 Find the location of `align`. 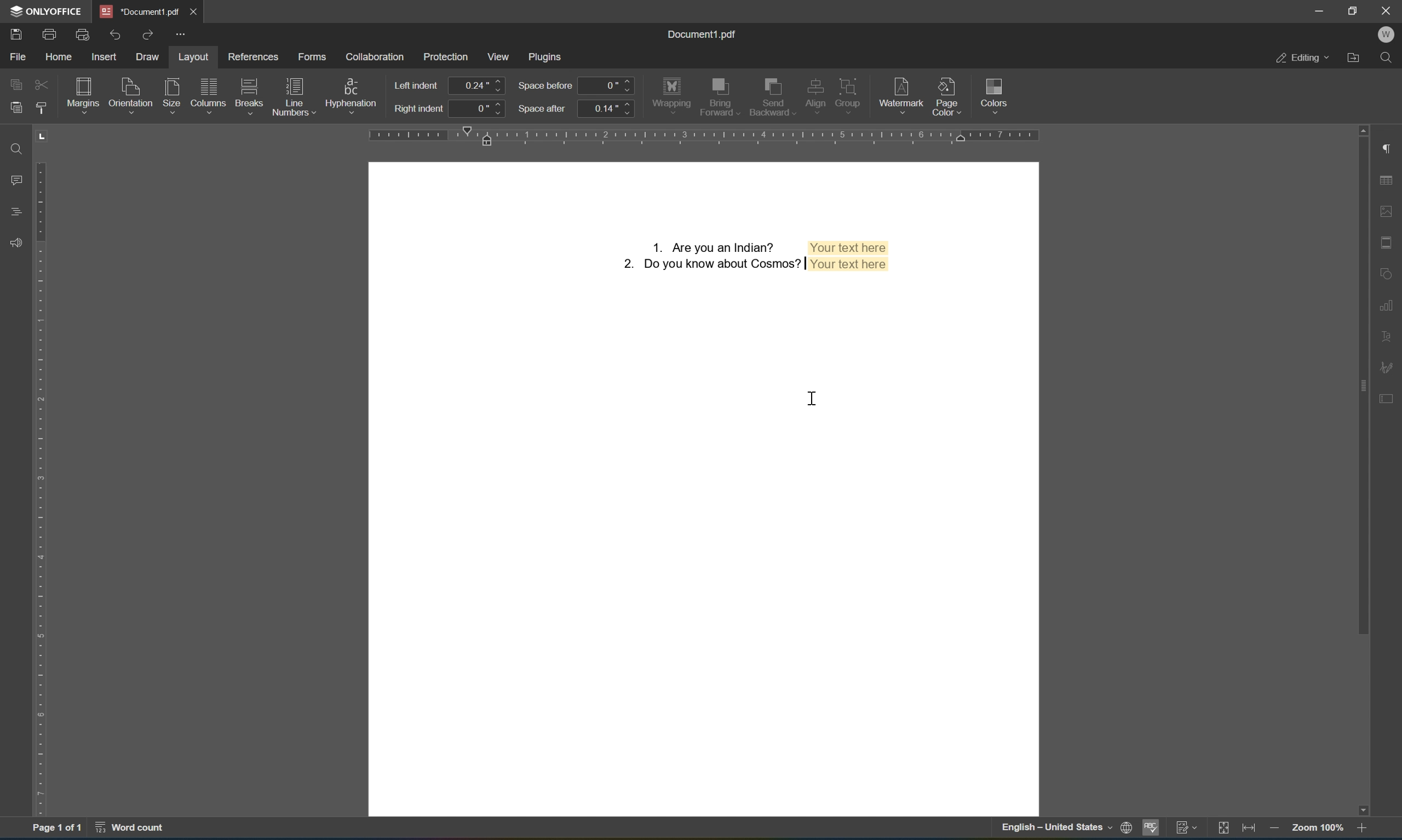

align is located at coordinates (812, 93).